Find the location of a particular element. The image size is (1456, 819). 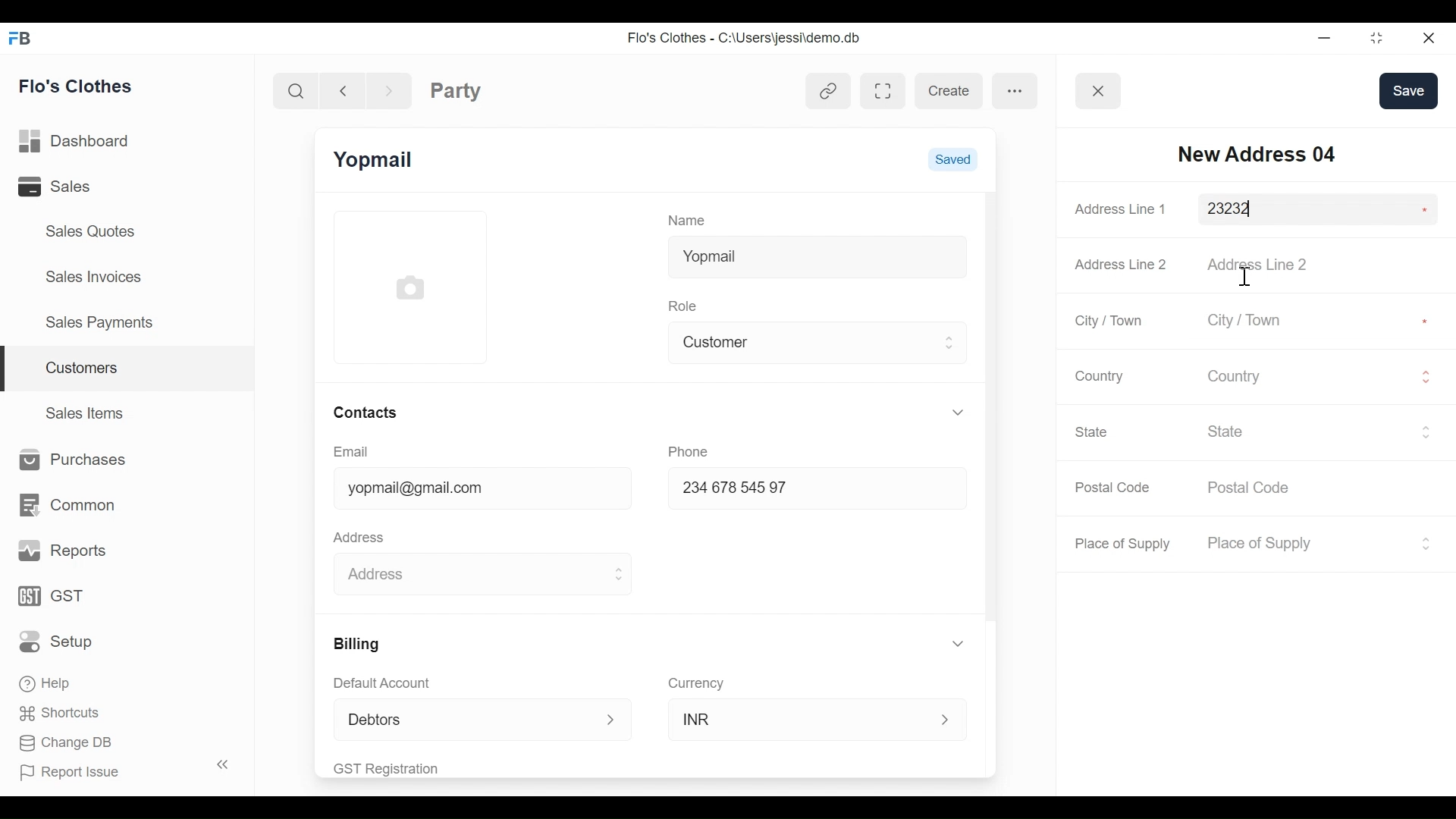

State is located at coordinates (1094, 431).